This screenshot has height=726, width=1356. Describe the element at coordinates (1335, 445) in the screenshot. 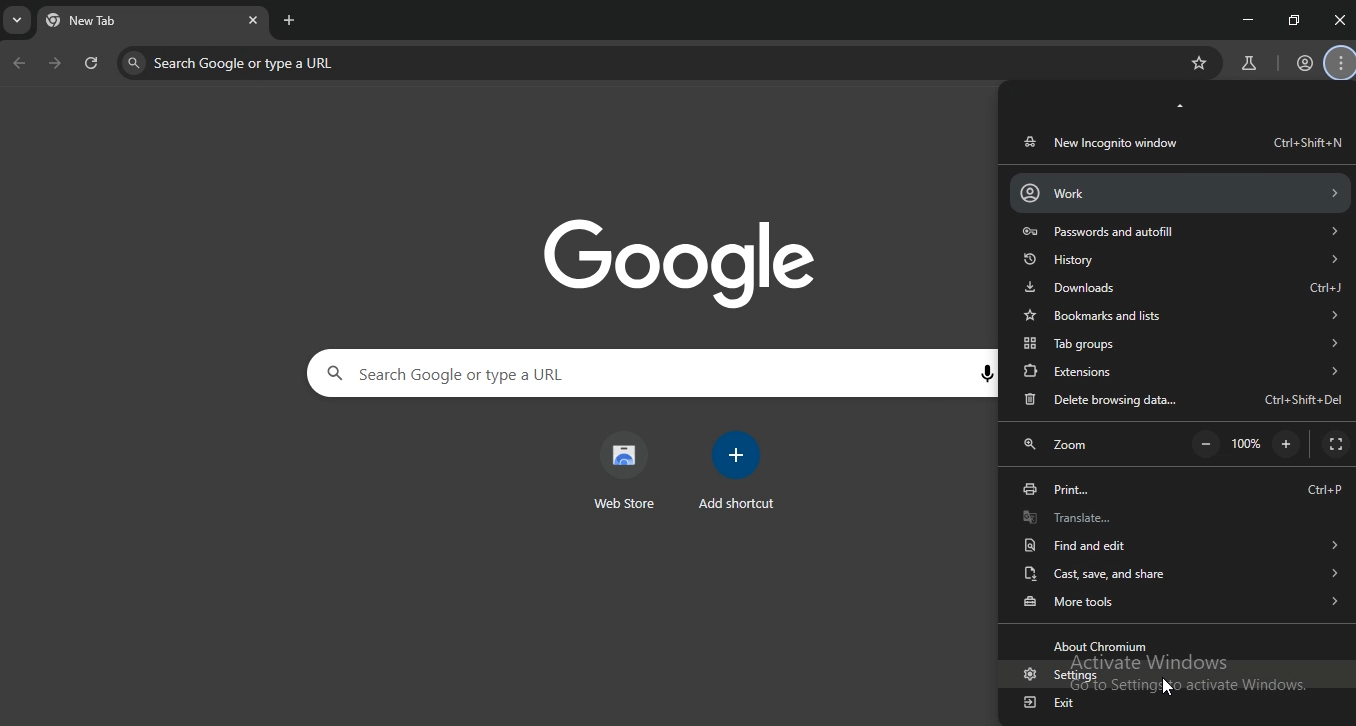

I see `display full screen` at that location.